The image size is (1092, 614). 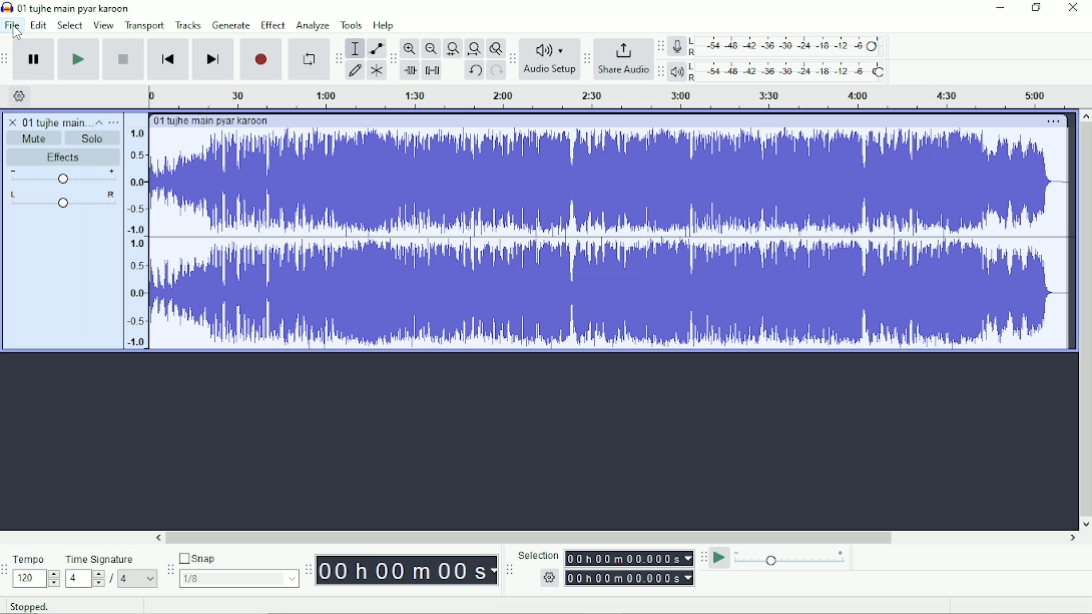 What do you see at coordinates (309, 59) in the screenshot?
I see `Enable looping` at bounding box center [309, 59].